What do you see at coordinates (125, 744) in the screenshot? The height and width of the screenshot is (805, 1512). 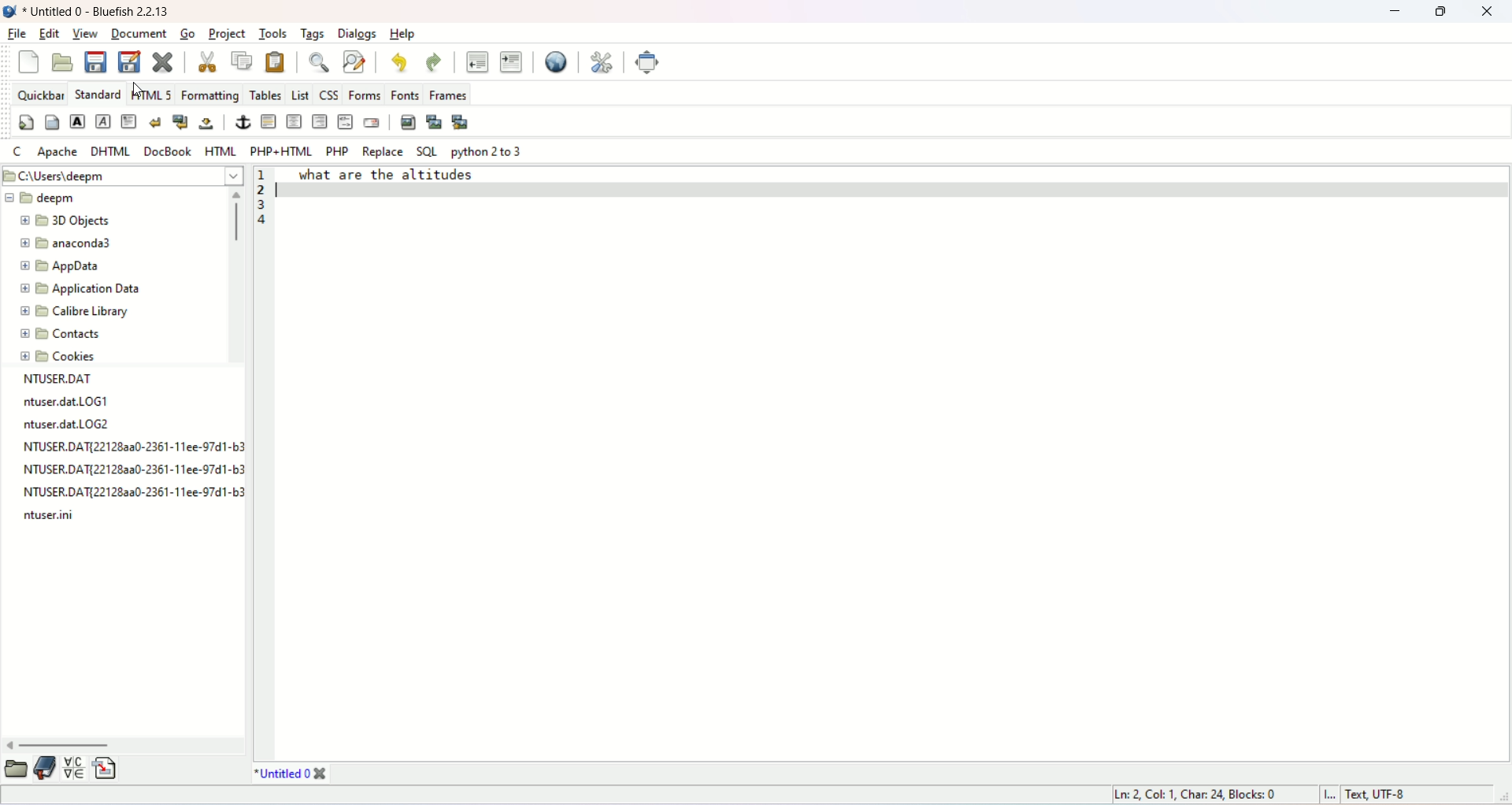 I see `horizontal scroll bar` at bounding box center [125, 744].